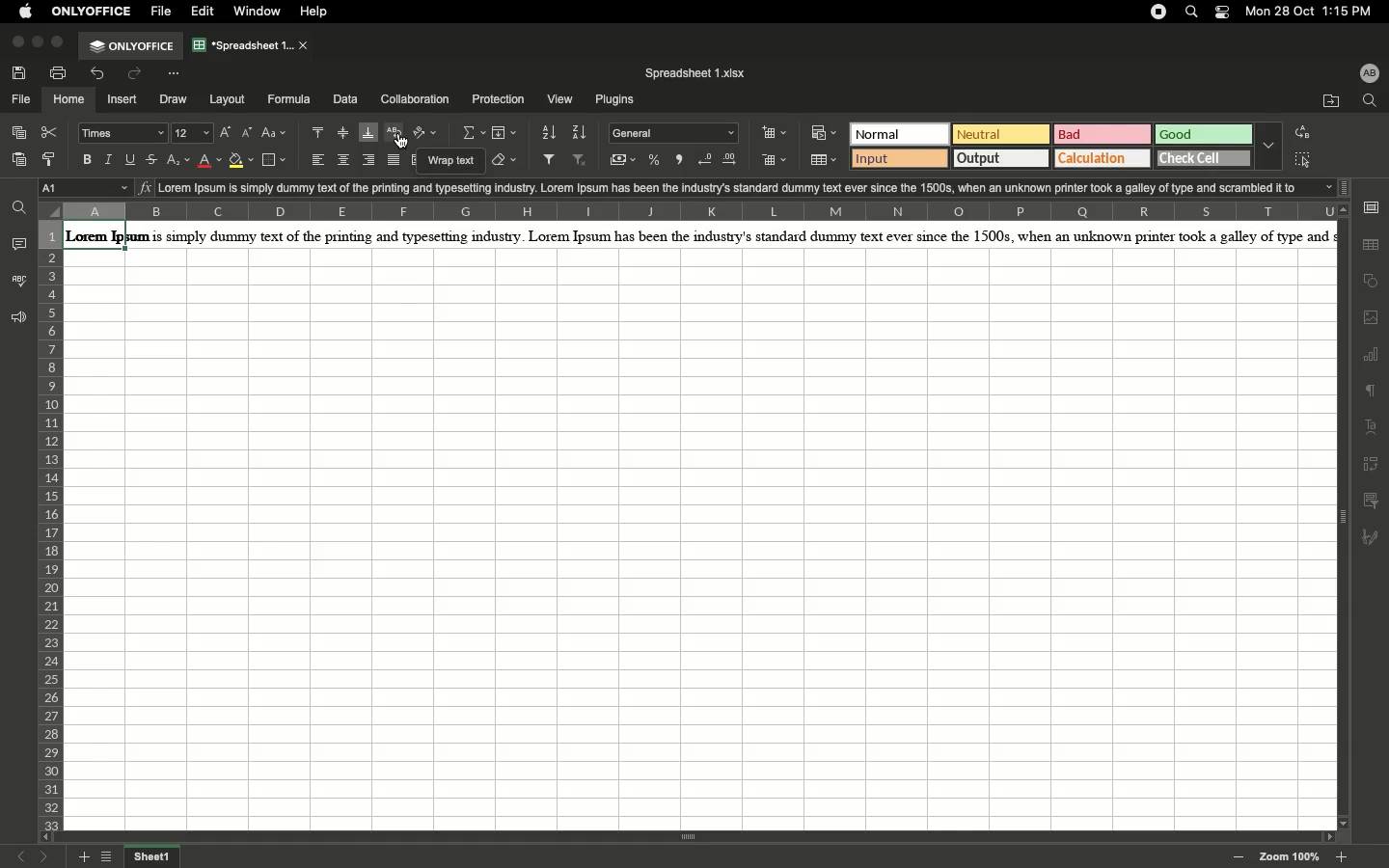  Describe the element at coordinates (1373, 463) in the screenshot. I see `Pivot` at that location.